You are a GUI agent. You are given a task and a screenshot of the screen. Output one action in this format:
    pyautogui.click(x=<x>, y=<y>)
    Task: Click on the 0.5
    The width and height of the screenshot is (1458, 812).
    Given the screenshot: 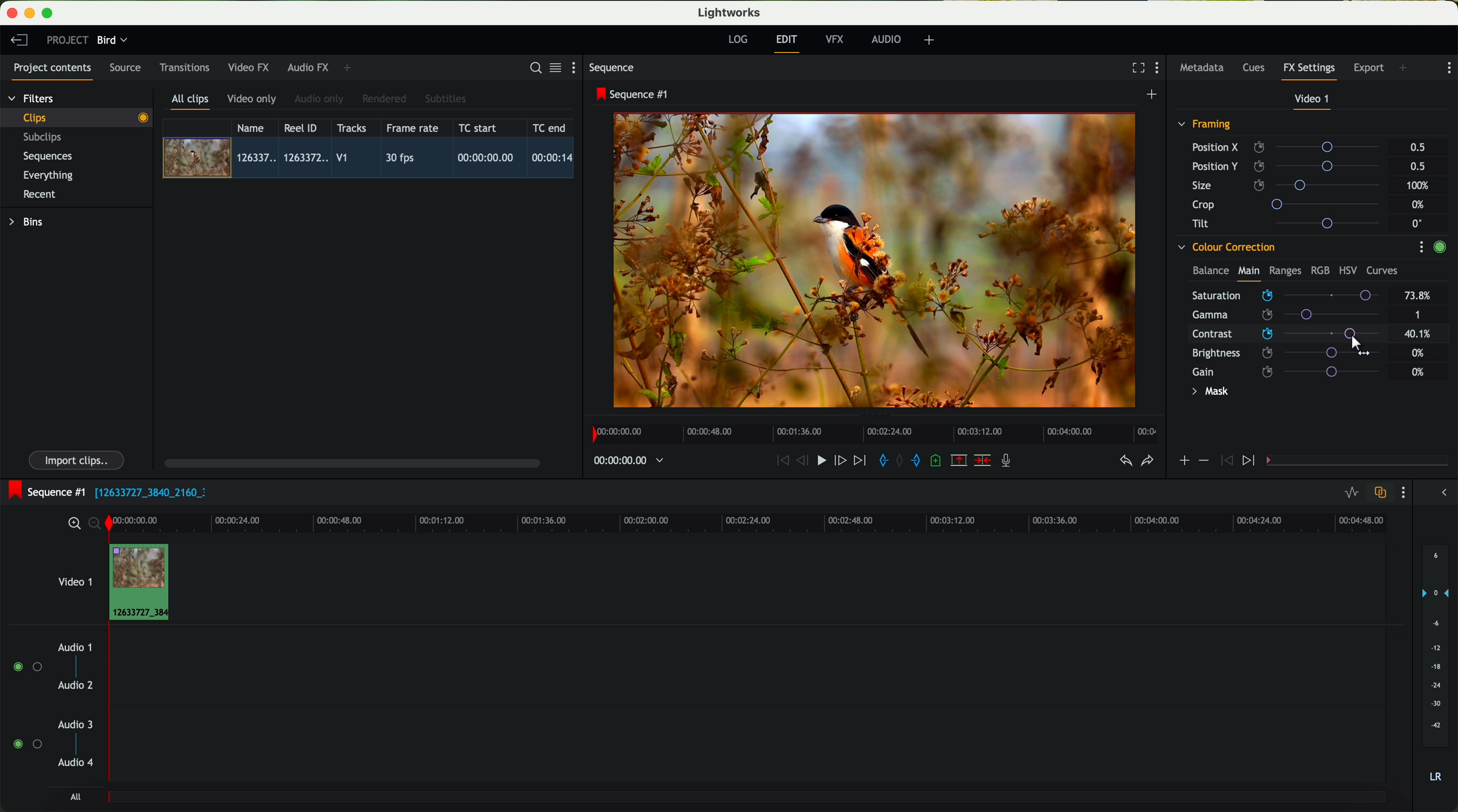 What is the action you would take?
    pyautogui.click(x=1417, y=166)
    